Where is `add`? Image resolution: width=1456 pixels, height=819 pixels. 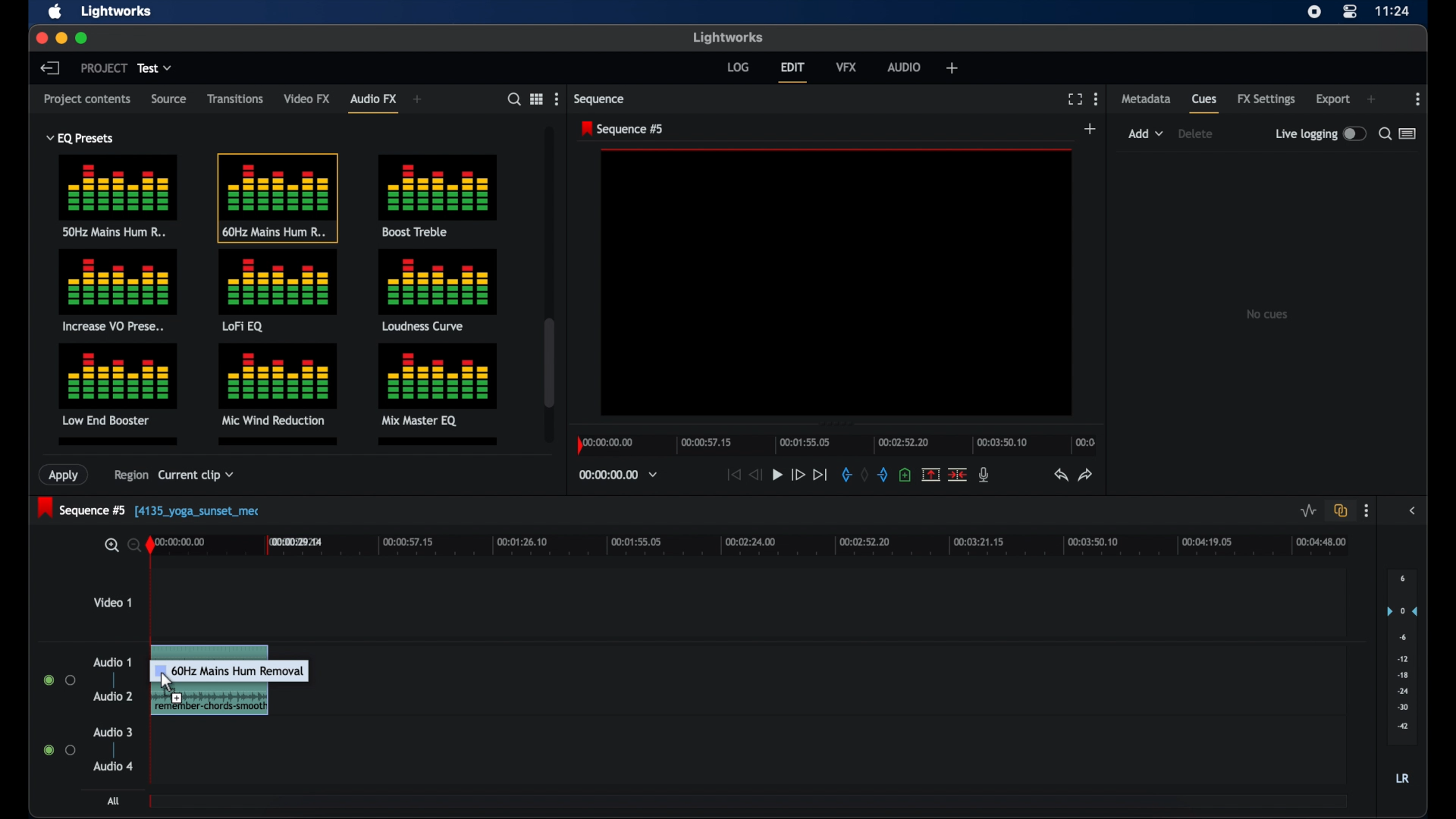
add is located at coordinates (418, 99).